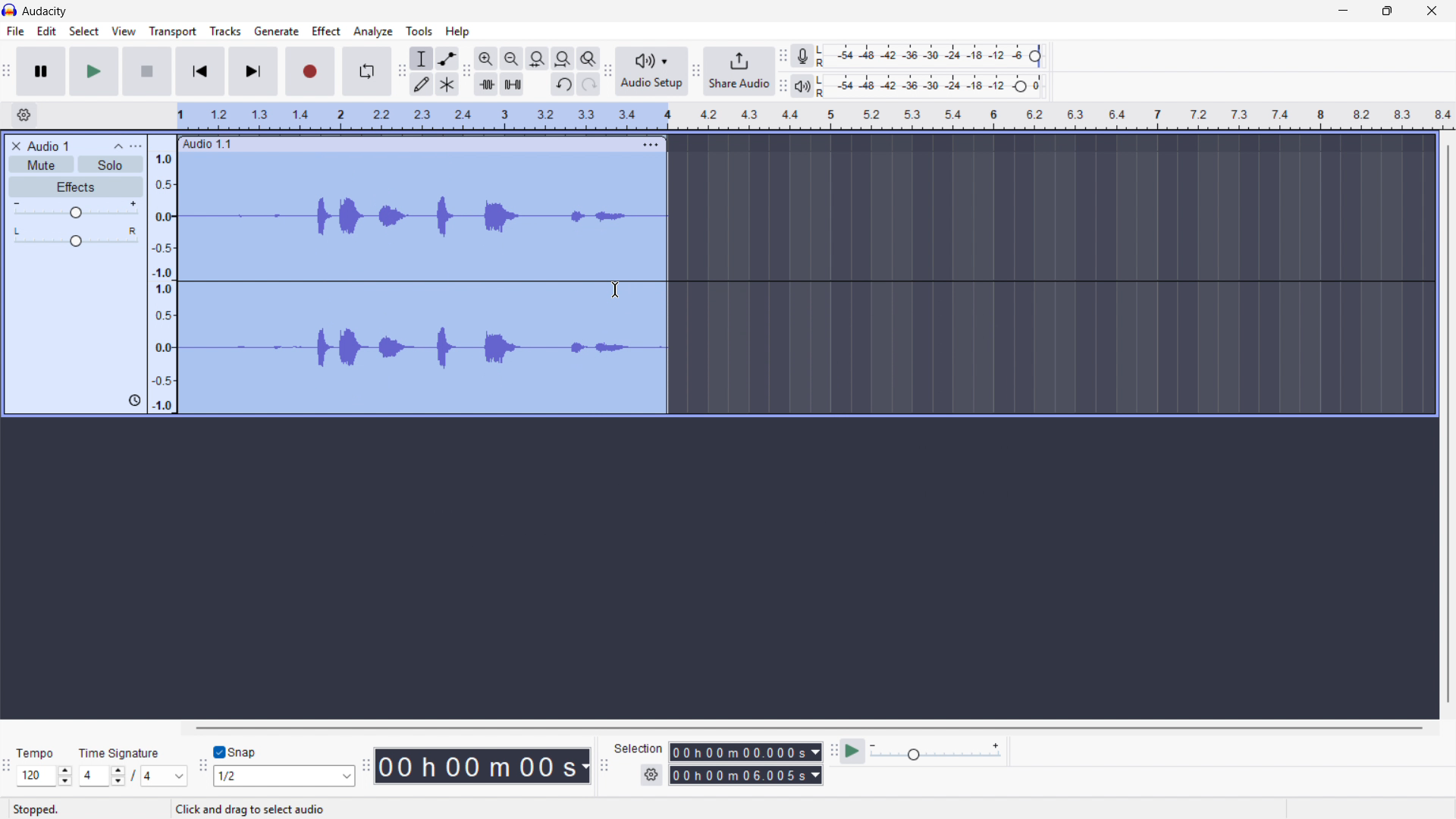  What do you see at coordinates (203, 767) in the screenshot?
I see `Snapping toolbar` at bounding box center [203, 767].